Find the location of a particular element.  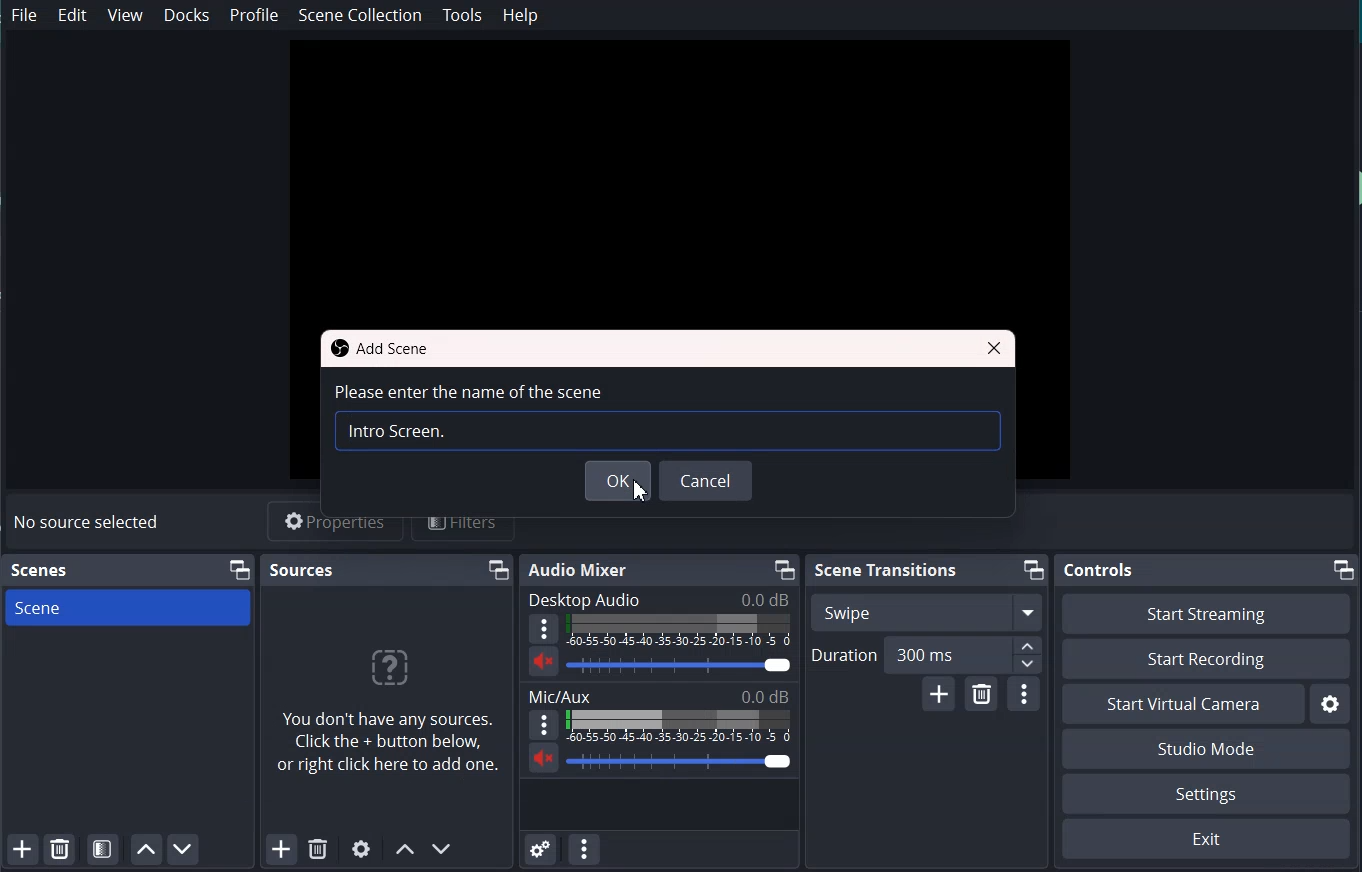

Move scene Up is located at coordinates (403, 851).